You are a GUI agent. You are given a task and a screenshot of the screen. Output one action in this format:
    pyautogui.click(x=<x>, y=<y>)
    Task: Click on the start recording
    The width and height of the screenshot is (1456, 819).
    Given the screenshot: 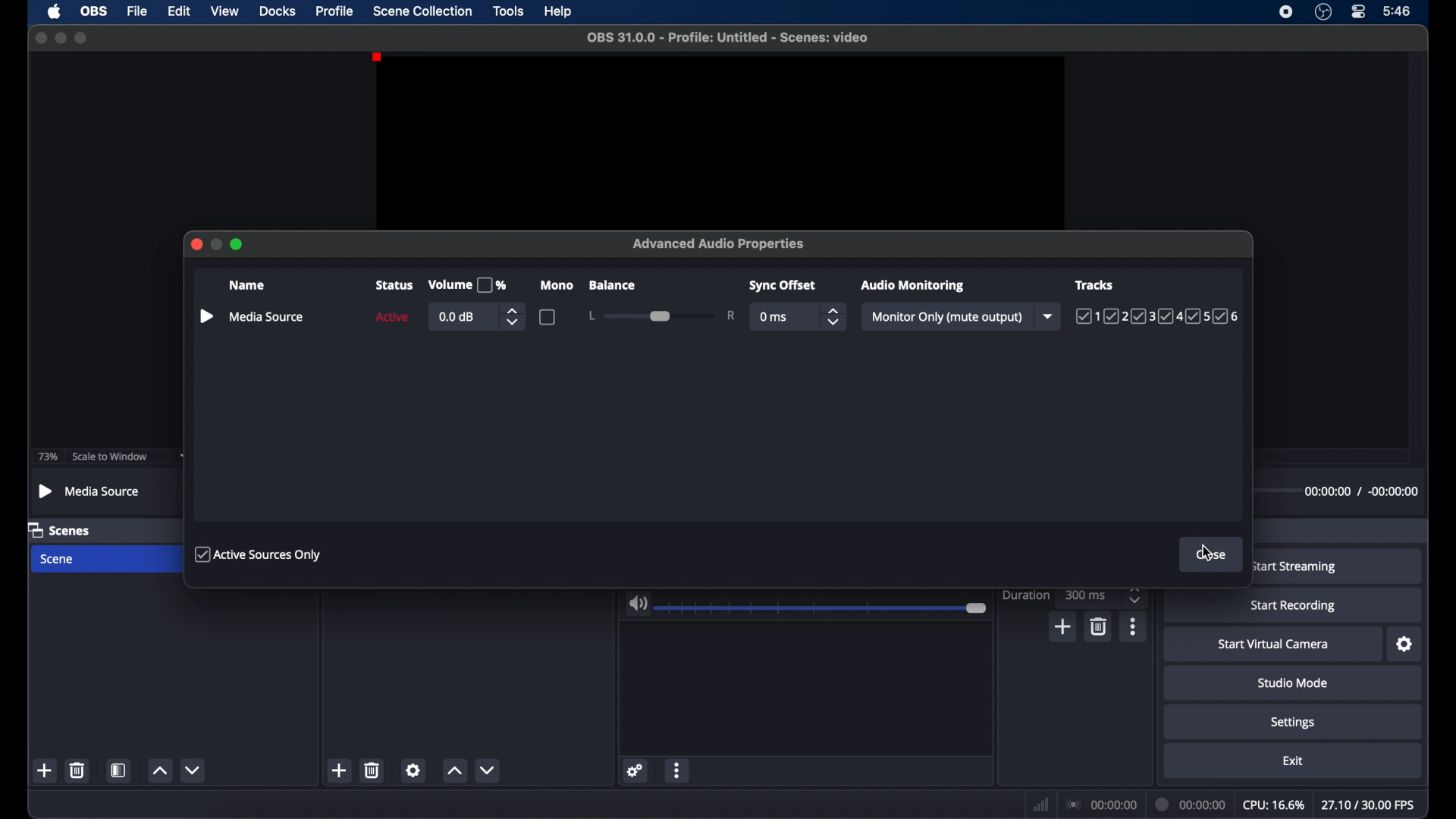 What is the action you would take?
    pyautogui.click(x=1295, y=606)
    